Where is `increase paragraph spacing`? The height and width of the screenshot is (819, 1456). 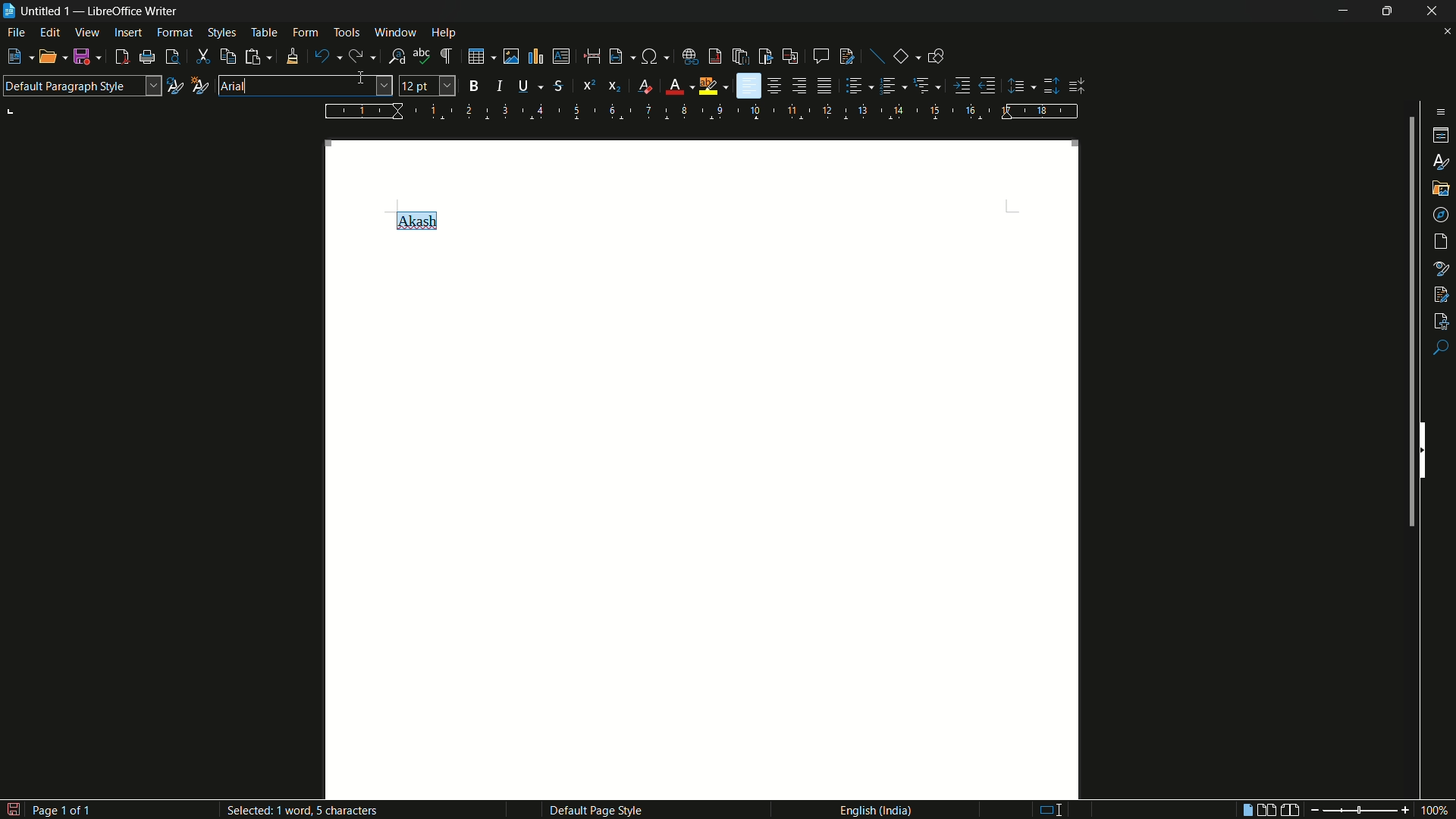
increase paragraph spacing is located at coordinates (1052, 86).